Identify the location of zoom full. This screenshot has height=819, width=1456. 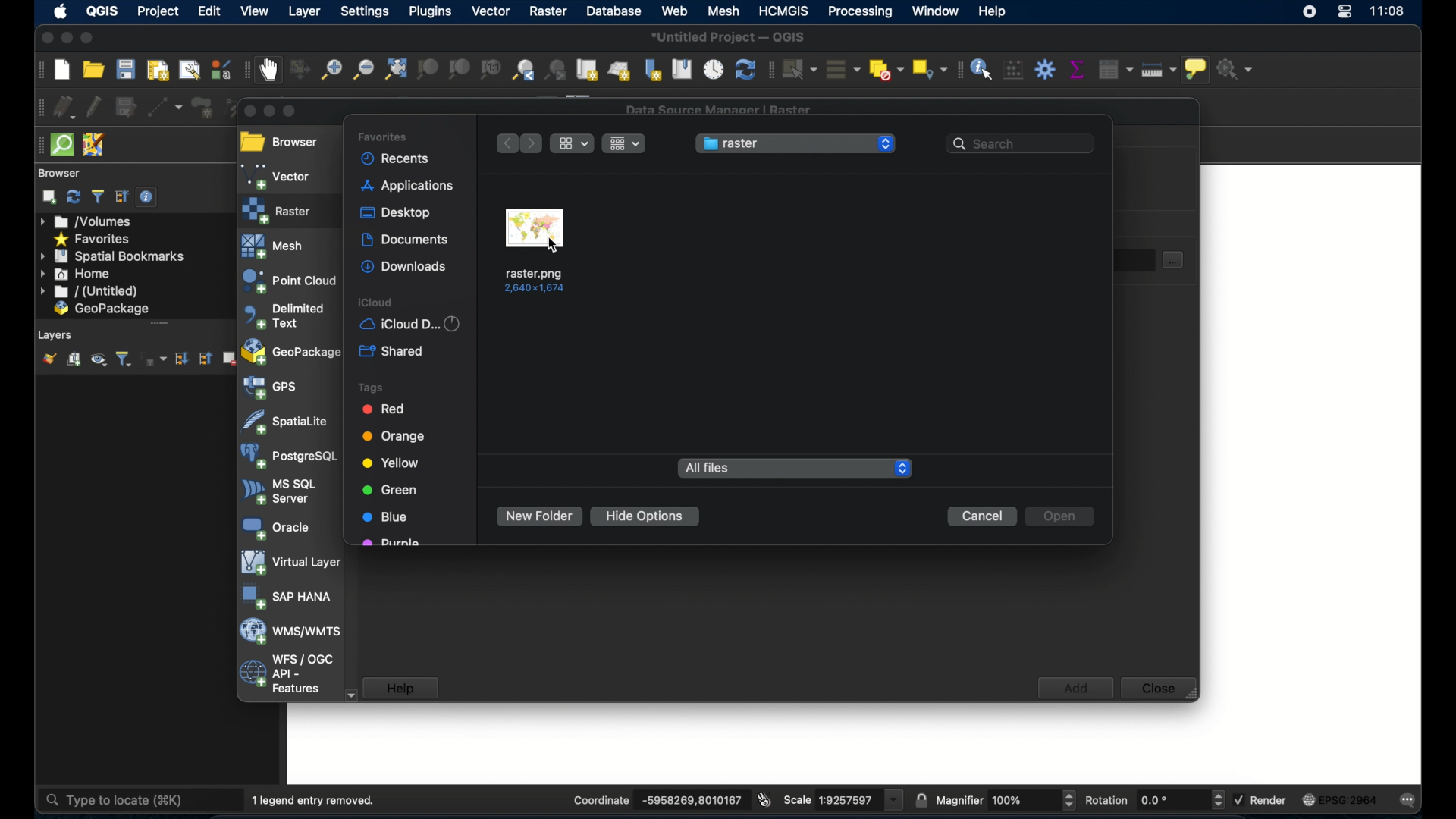
(394, 68).